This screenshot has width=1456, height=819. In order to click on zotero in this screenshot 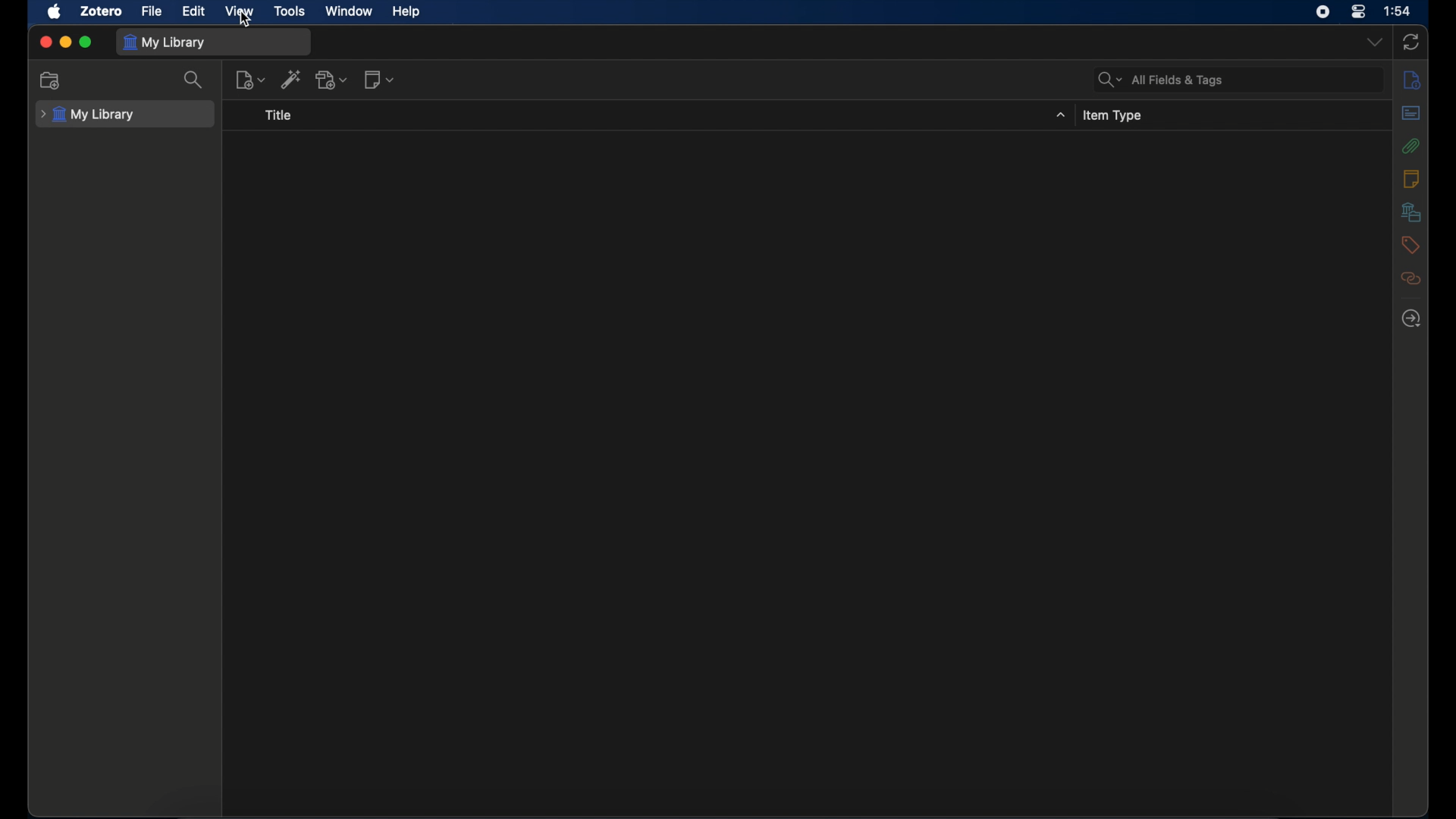, I will do `click(101, 11)`.